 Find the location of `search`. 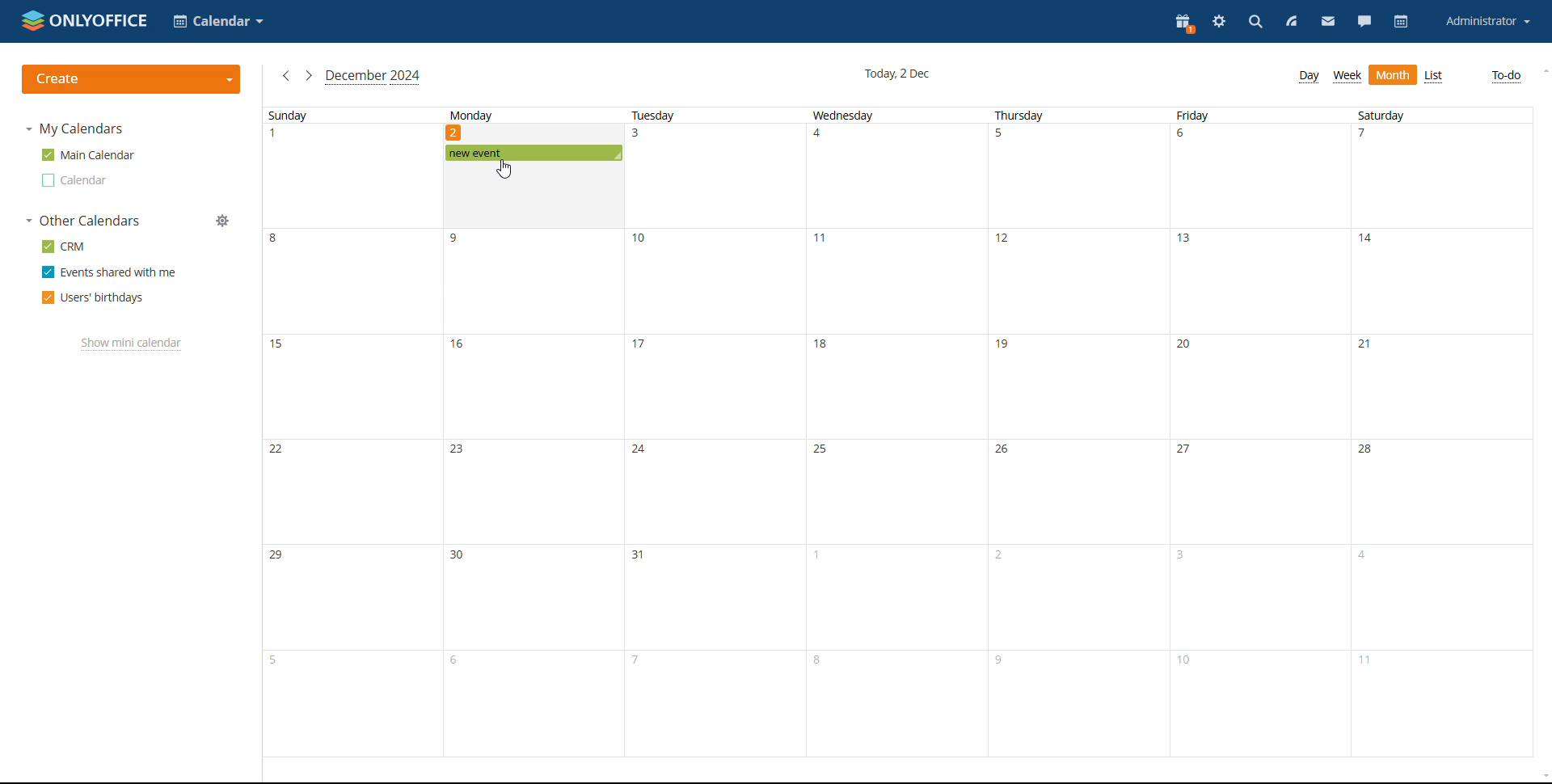

search is located at coordinates (1256, 23).